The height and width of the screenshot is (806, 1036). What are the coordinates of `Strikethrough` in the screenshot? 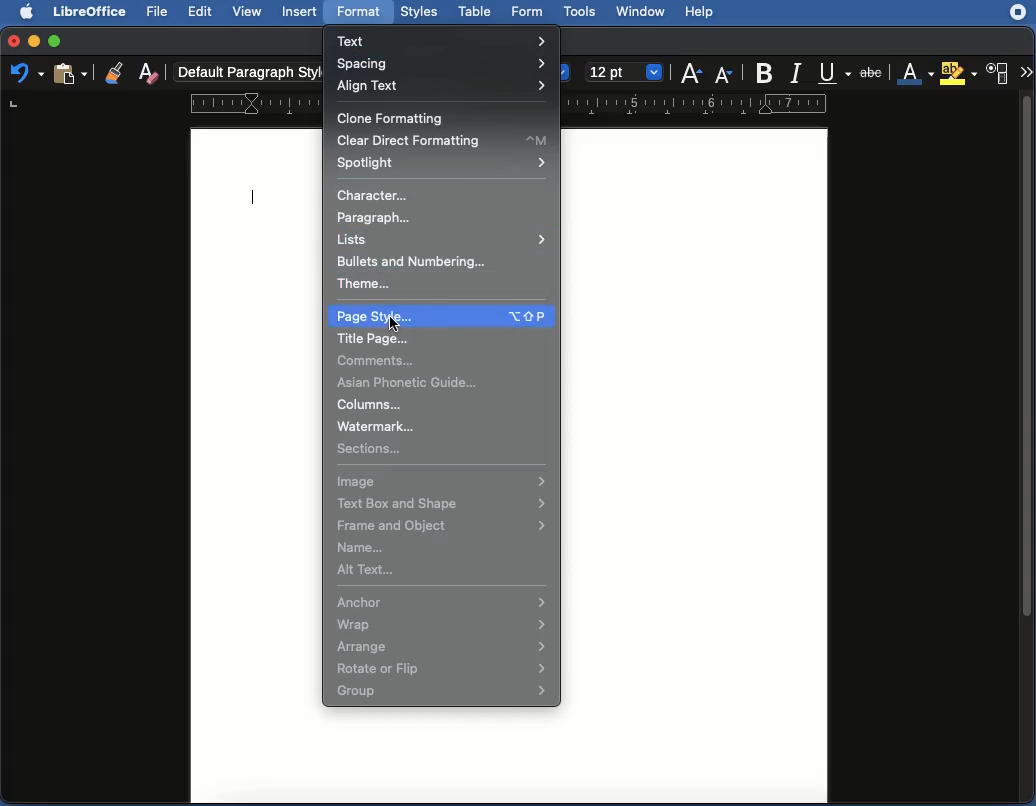 It's located at (874, 74).